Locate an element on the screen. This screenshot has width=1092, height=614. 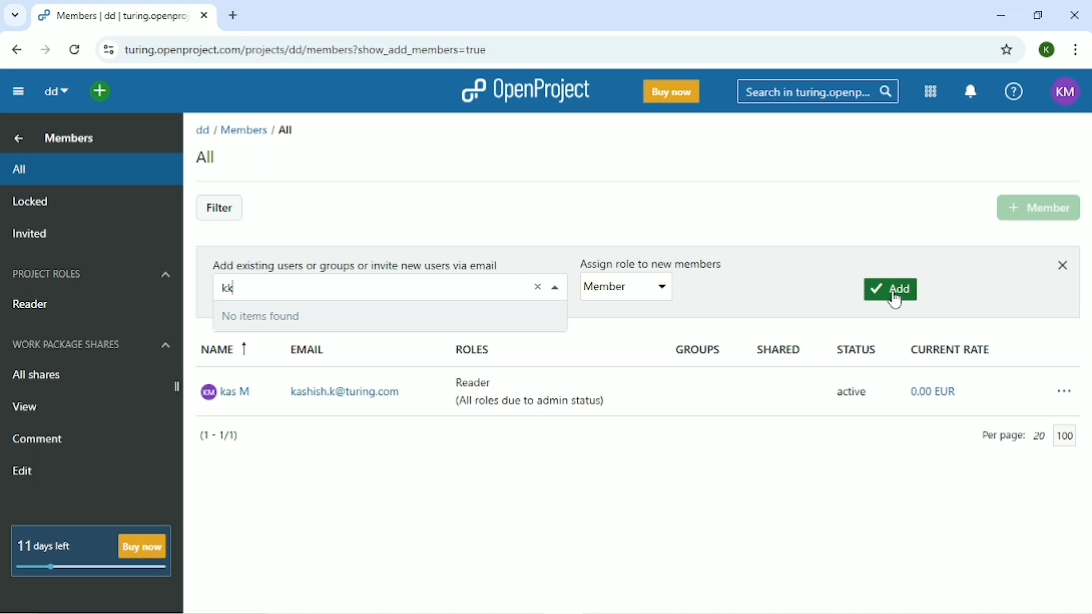
active is located at coordinates (851, 391).